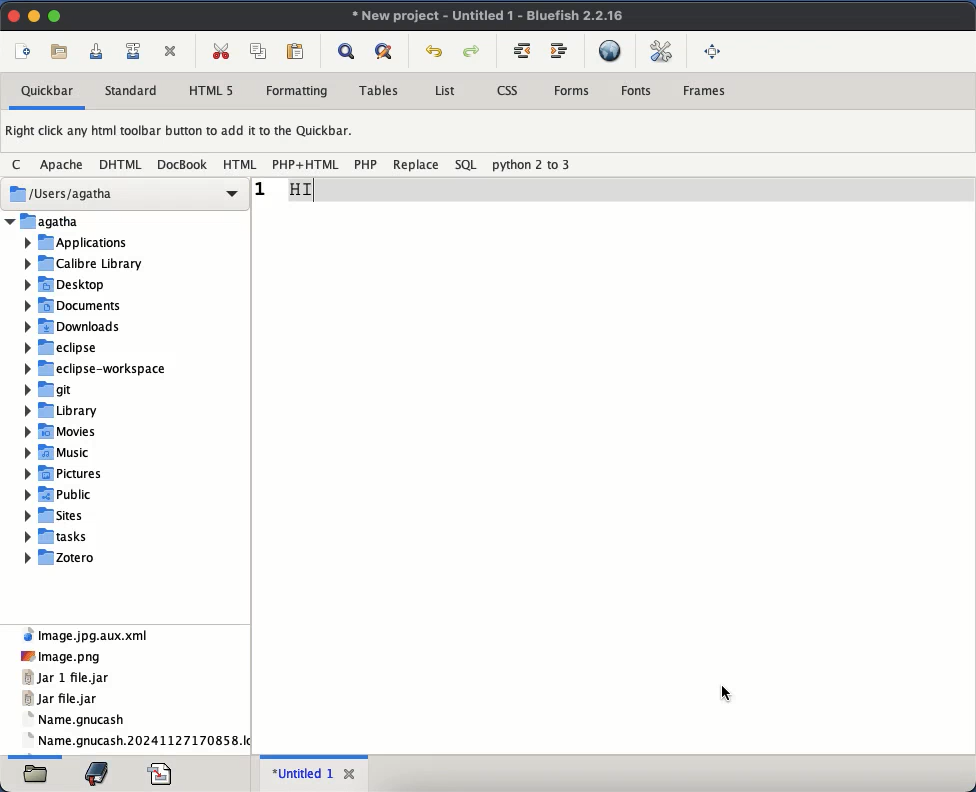 The width and height of the screenshot is (976, 792). Describe the element at coordinates (468, 165) in the screenshot. I see `sql` at that location.